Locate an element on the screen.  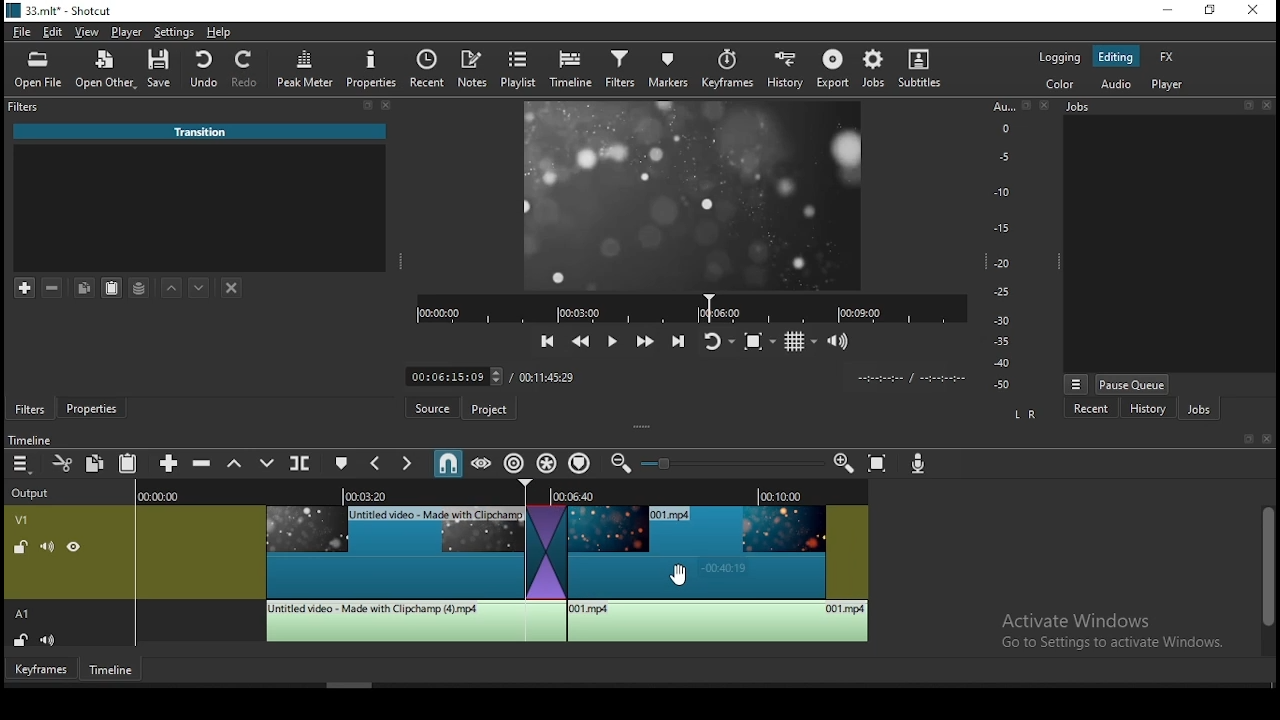
file is located at coordinates (23, 32).